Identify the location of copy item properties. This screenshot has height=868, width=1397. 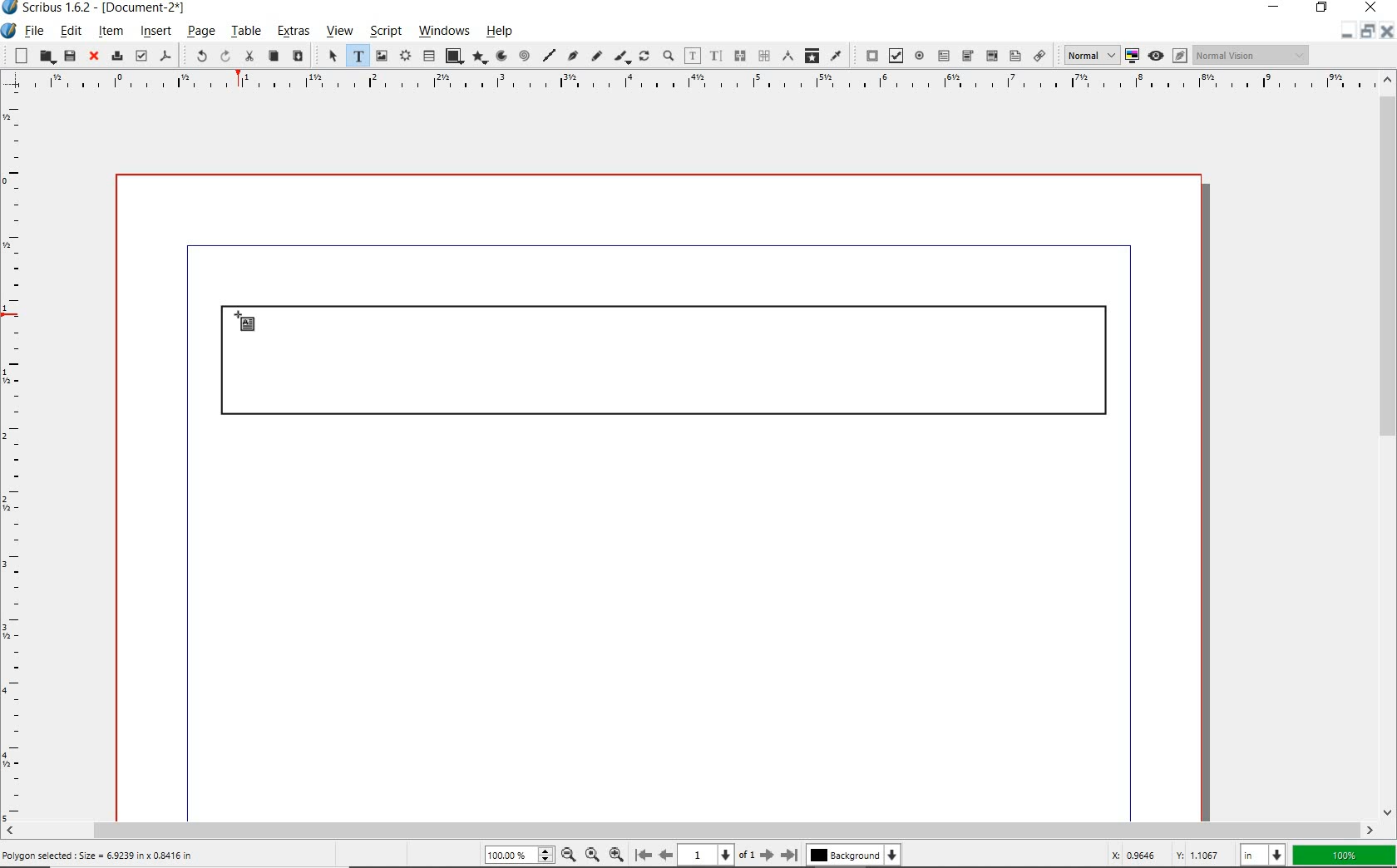
(812, 55).